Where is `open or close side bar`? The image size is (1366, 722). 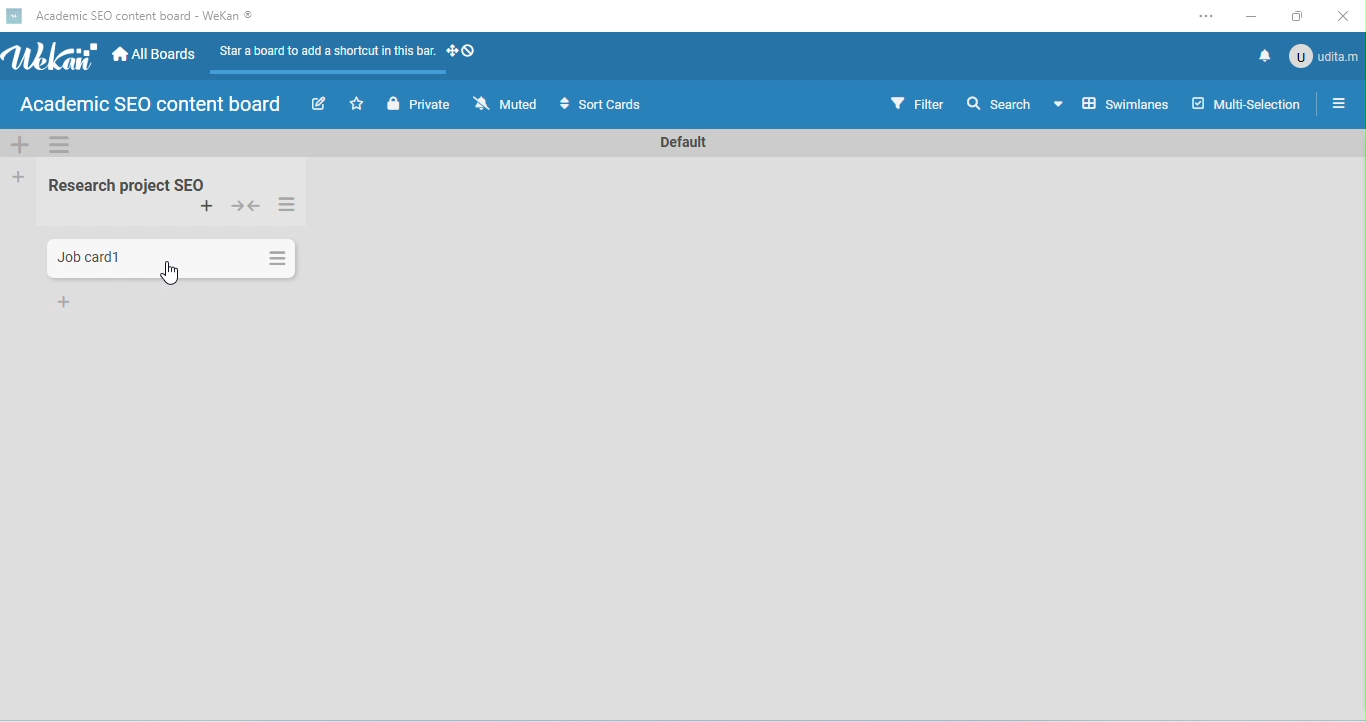
open or close side bar is located at coordinates (1334, 105).